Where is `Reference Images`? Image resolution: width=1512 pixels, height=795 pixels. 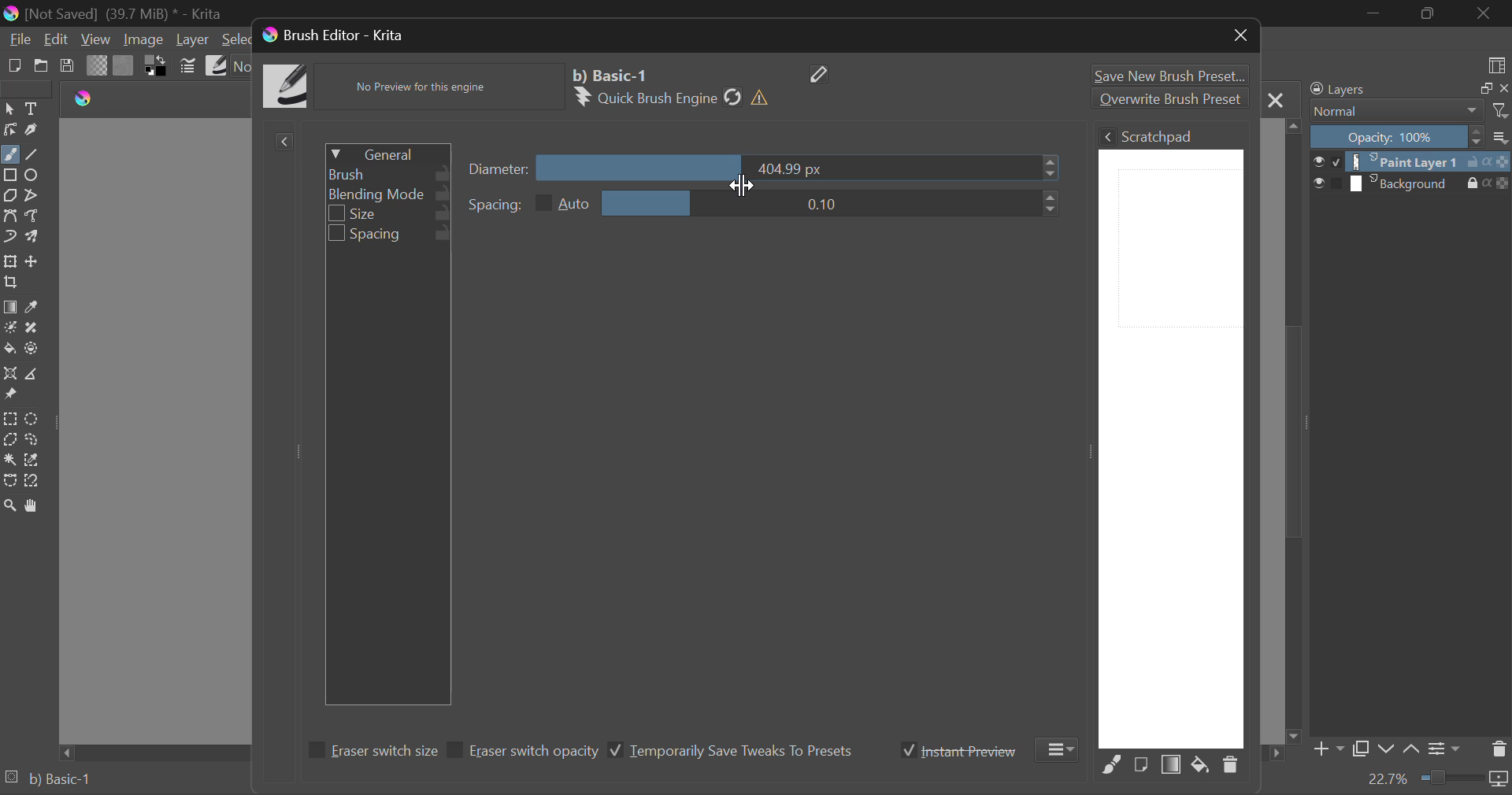 Reference Images is located at coordinates (10, 396).